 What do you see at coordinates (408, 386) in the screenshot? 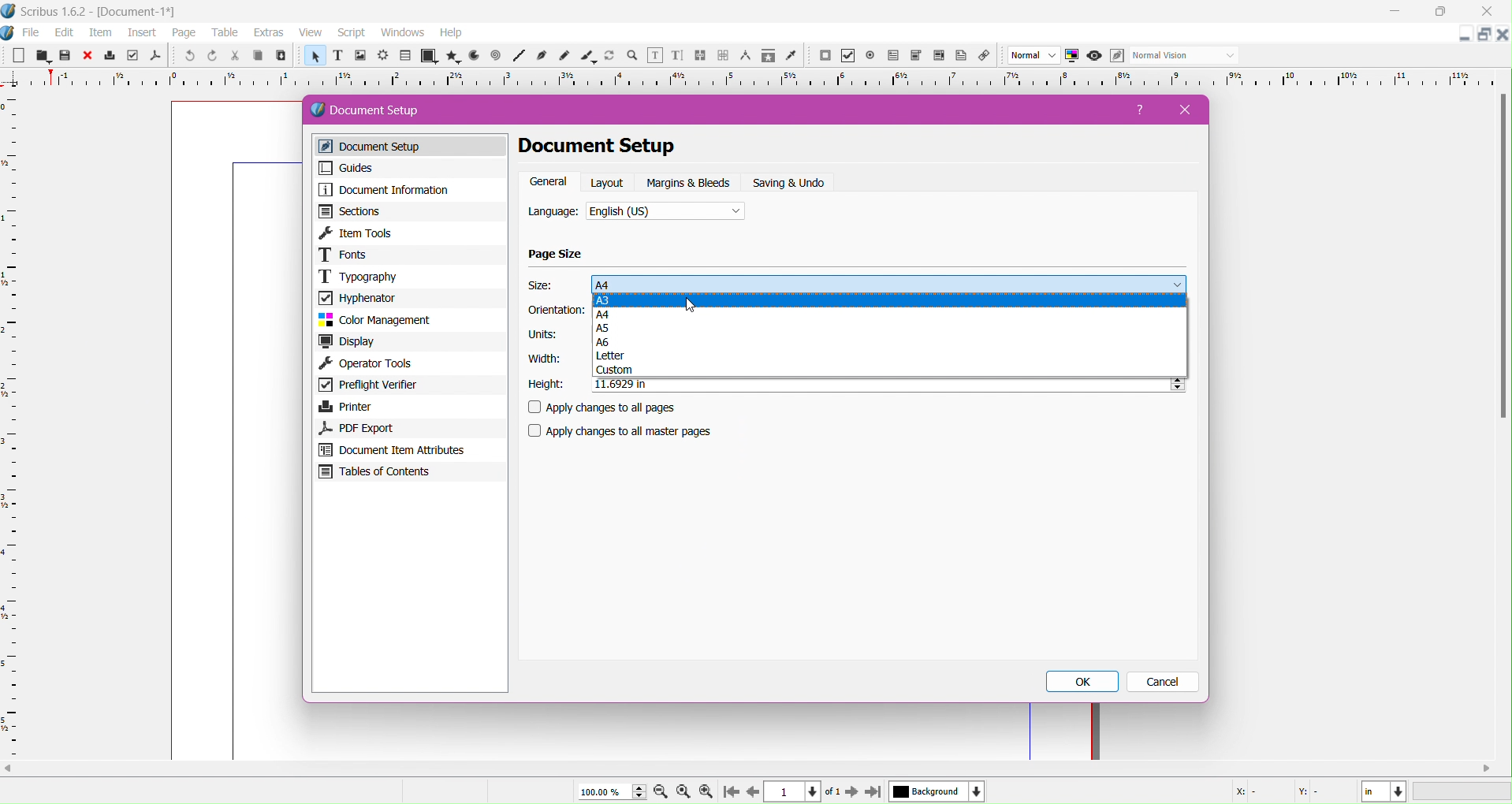
I see `Preflight Verifier` at bounding box center [408, 386].